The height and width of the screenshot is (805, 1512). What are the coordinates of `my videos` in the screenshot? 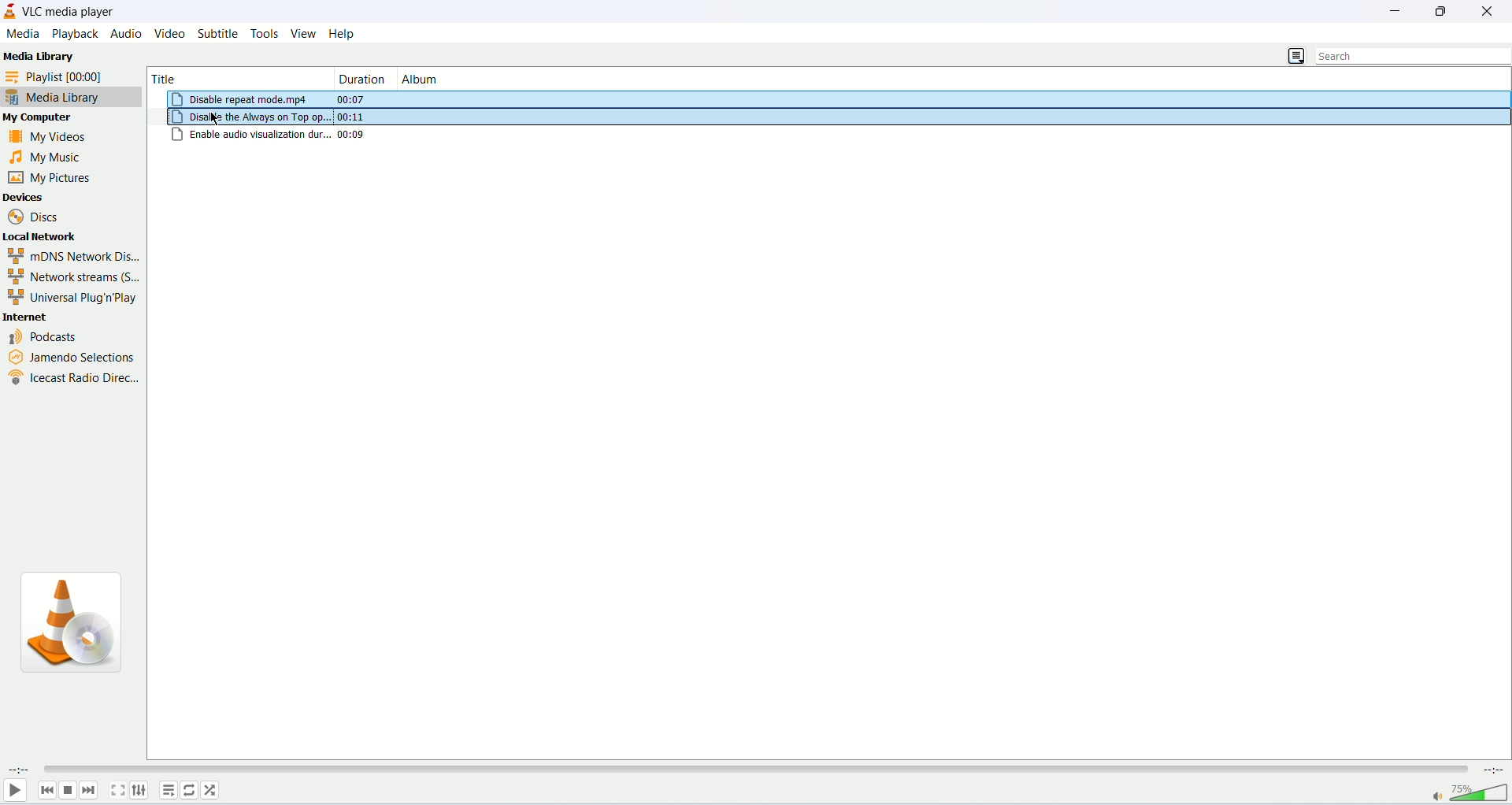 It's located at (61, 135).